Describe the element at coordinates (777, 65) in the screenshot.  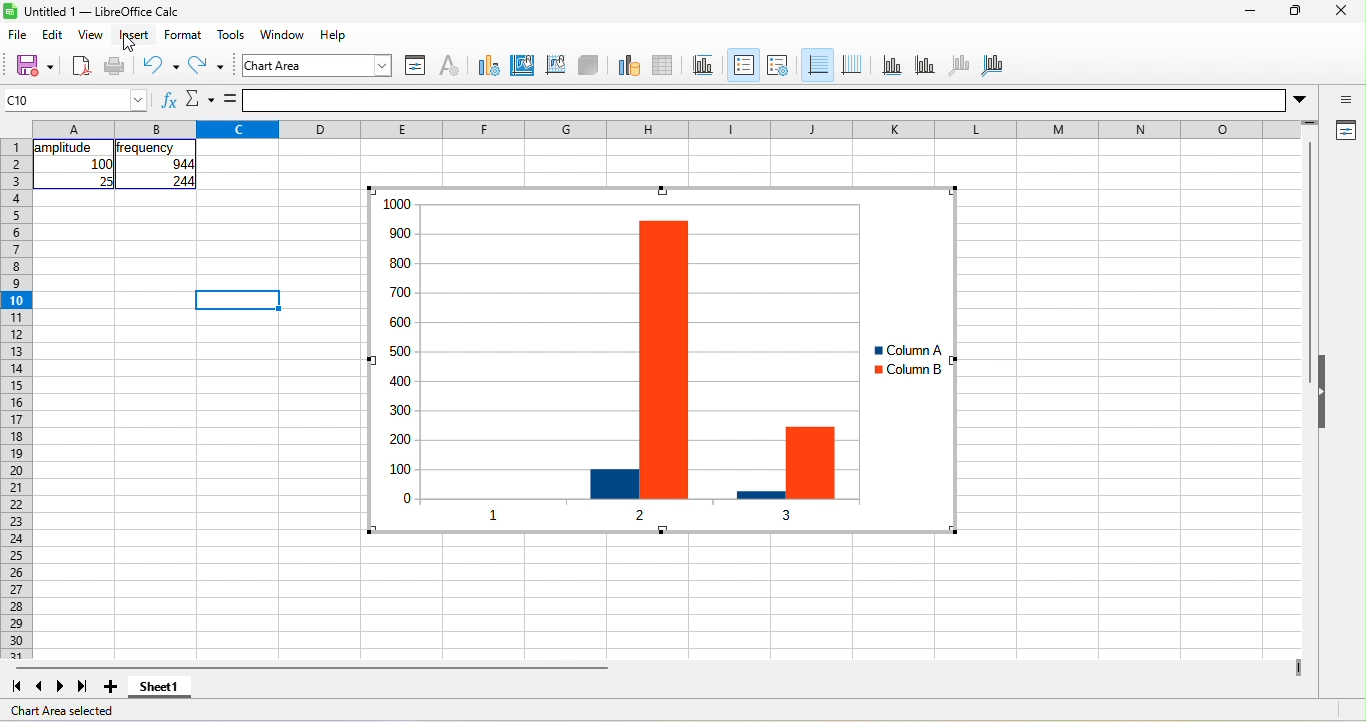
I see `legend` at that location.